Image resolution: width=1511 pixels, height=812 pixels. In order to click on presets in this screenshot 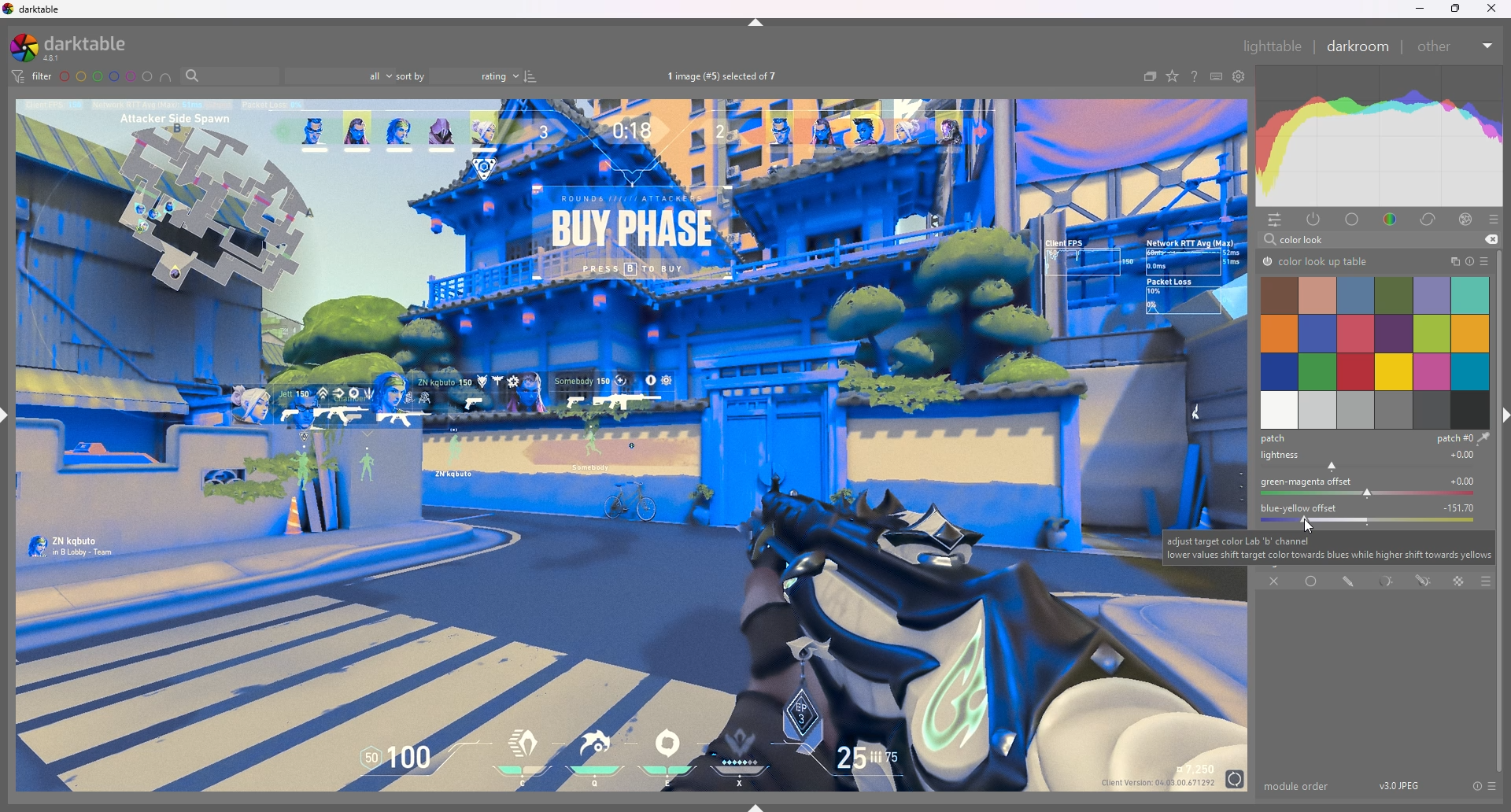, I will do `click(1494, 220)`.